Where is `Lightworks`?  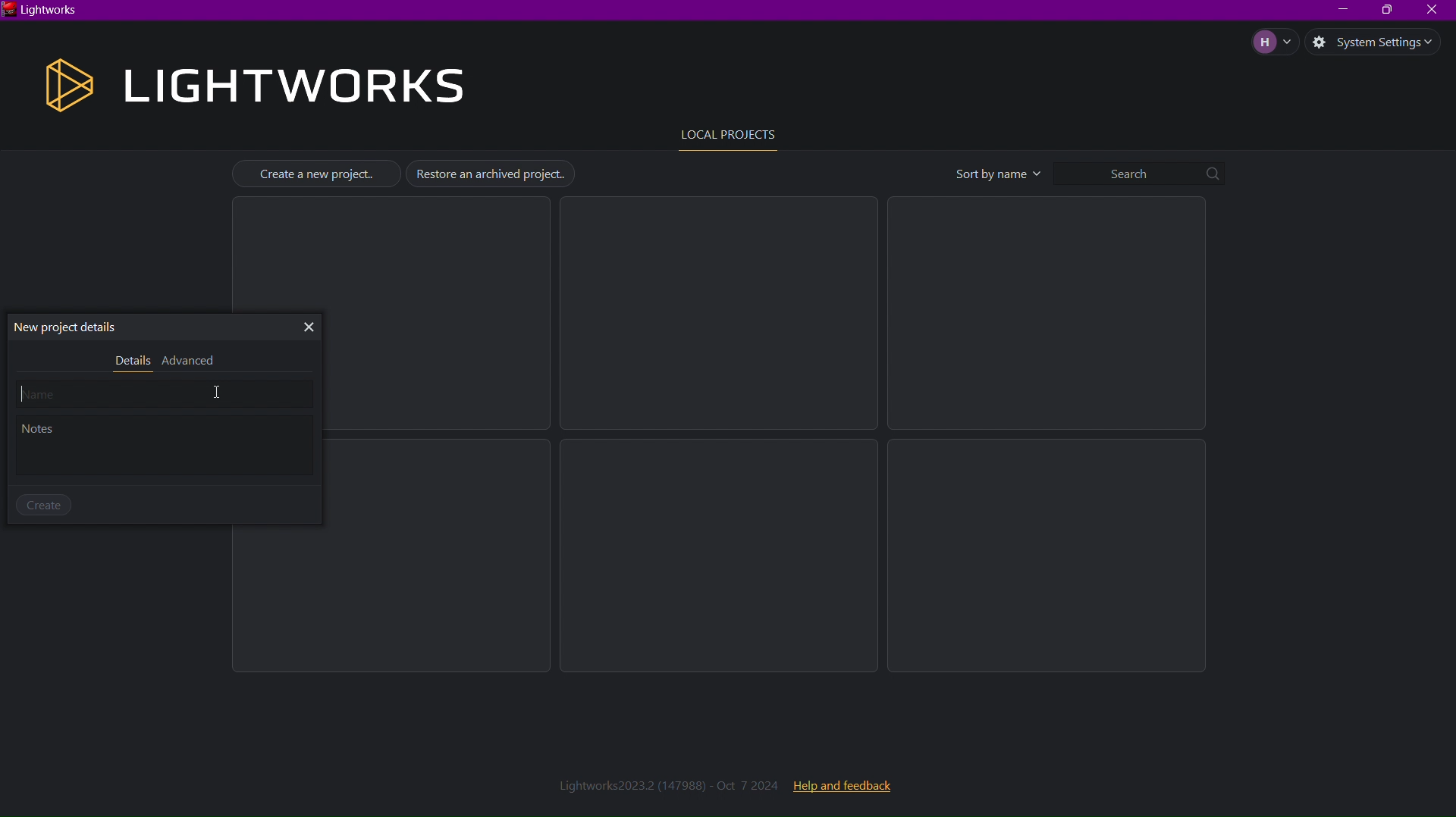 Lightworks is located at coordinates (42, 12).